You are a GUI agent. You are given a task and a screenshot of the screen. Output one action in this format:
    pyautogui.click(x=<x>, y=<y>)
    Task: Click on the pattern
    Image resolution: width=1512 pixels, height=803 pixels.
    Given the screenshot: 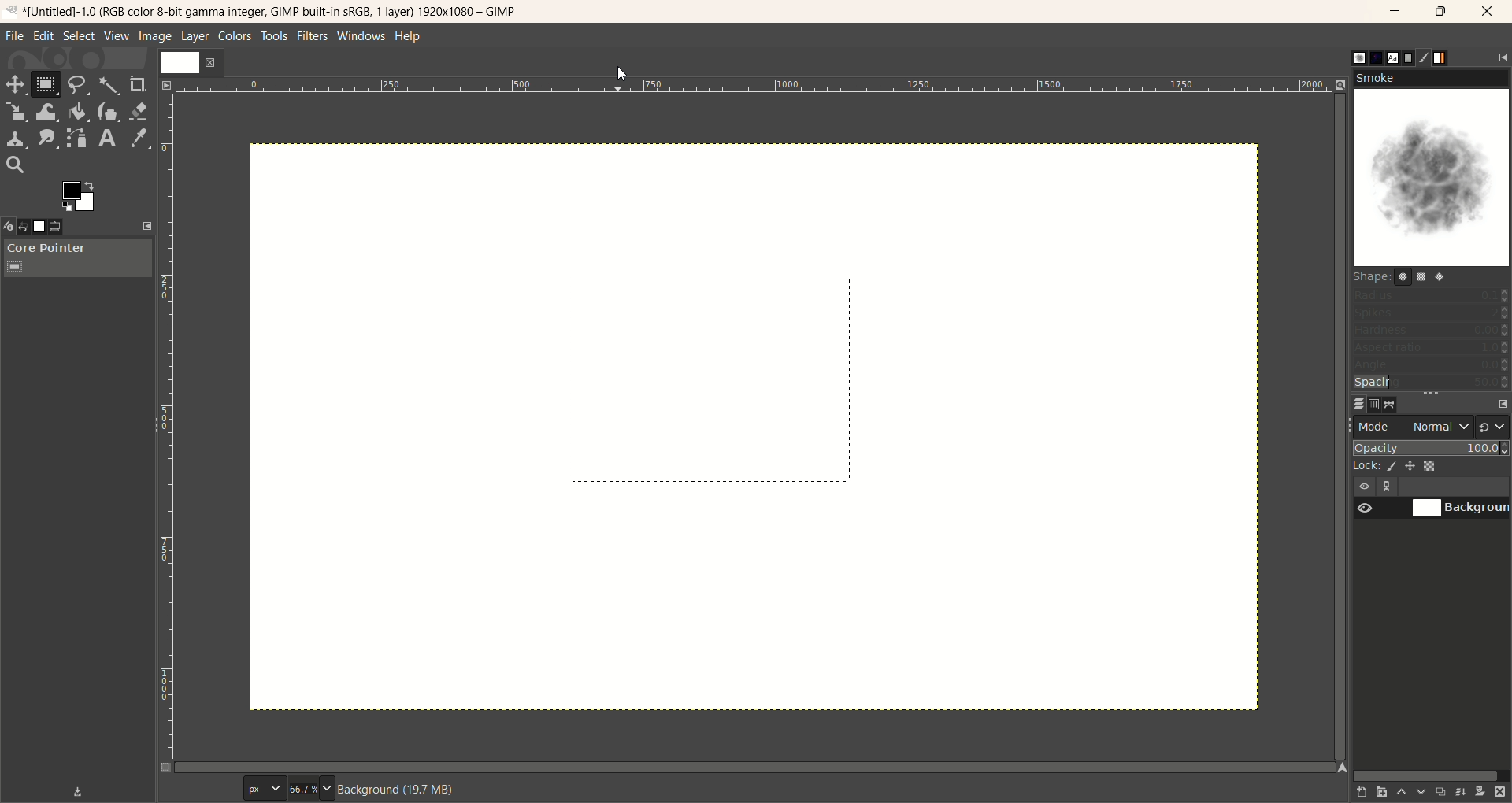 What is the action you would take?
    pyautogui.click(x=1373, y=57)
    